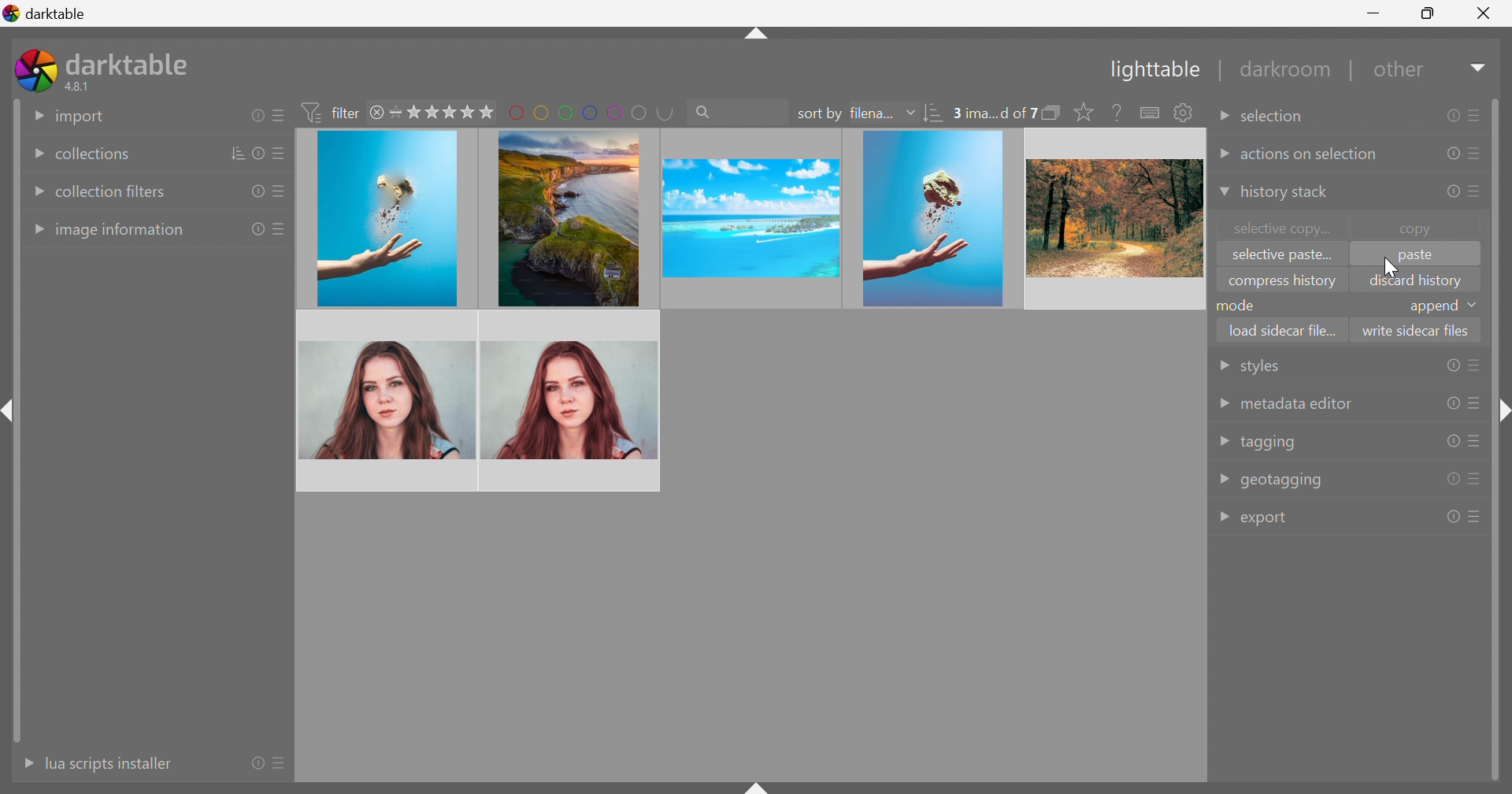  Describe the element at coordinates (1476, 305) in the screenshot. I see `drop down` at that location.